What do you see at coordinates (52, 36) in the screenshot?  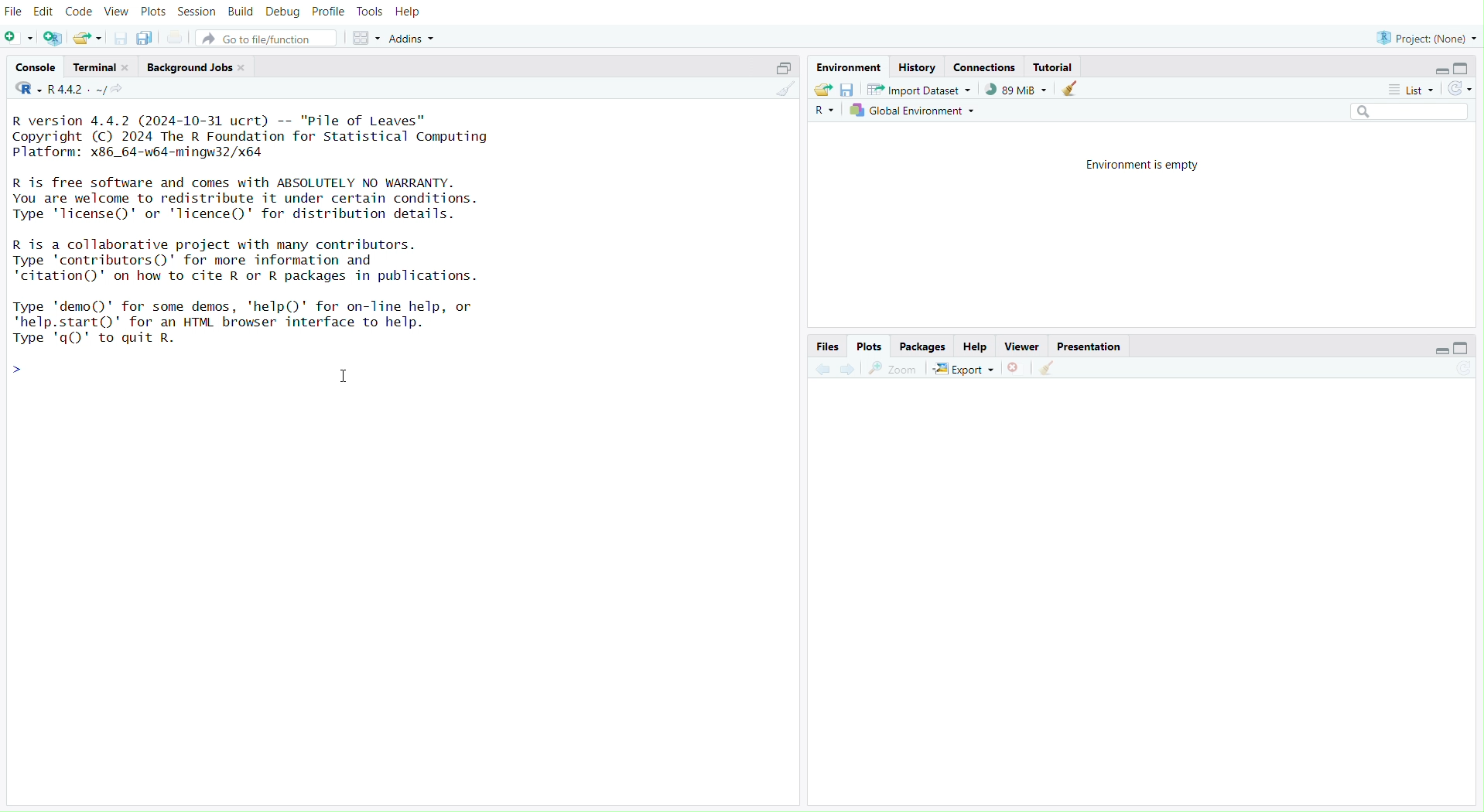 I see `Create a project` at bounding box center [52, 36].